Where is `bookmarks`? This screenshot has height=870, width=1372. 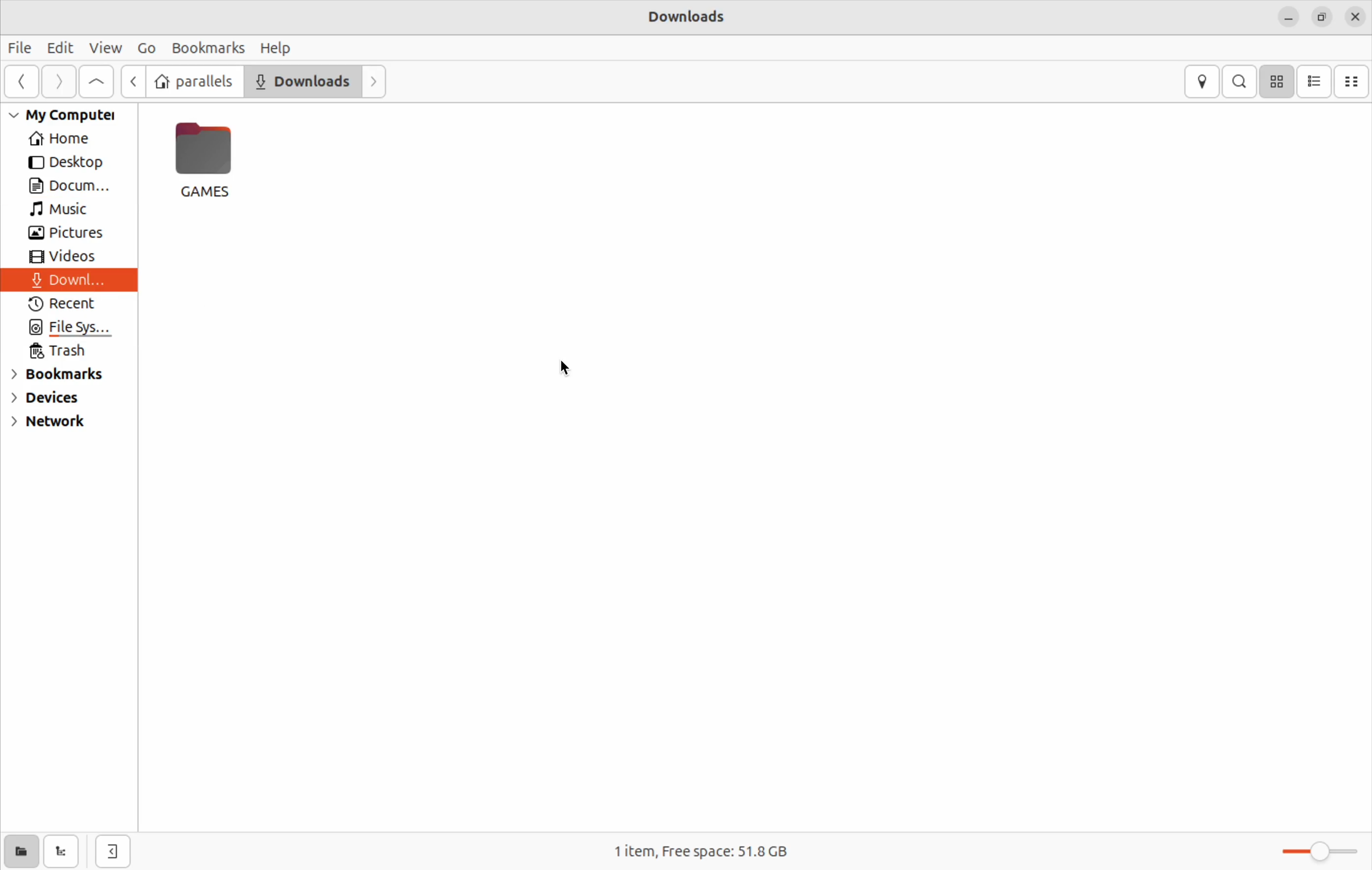 bookmarks is located at coordinates (70, 375).